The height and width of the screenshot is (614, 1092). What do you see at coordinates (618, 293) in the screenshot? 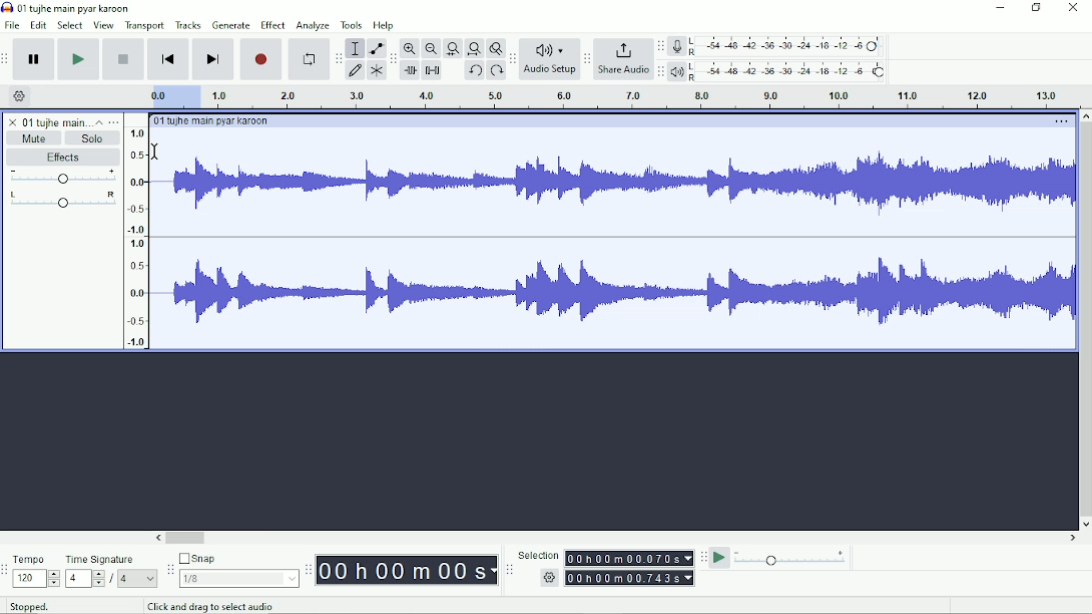
I see `Audio Waves` at bounding box center [618, 293].